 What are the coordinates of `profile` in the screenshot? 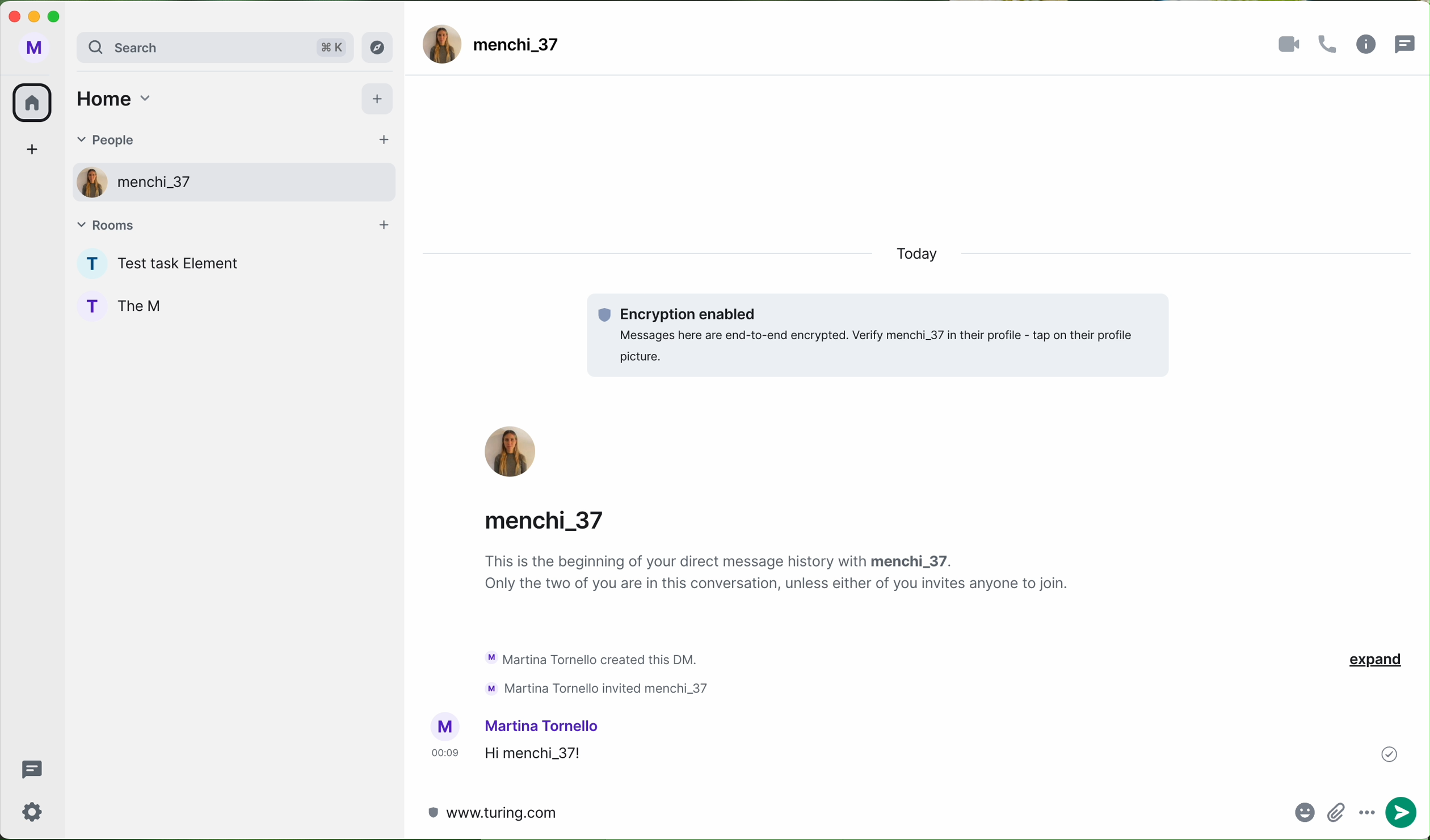 It's located at (89, 304).